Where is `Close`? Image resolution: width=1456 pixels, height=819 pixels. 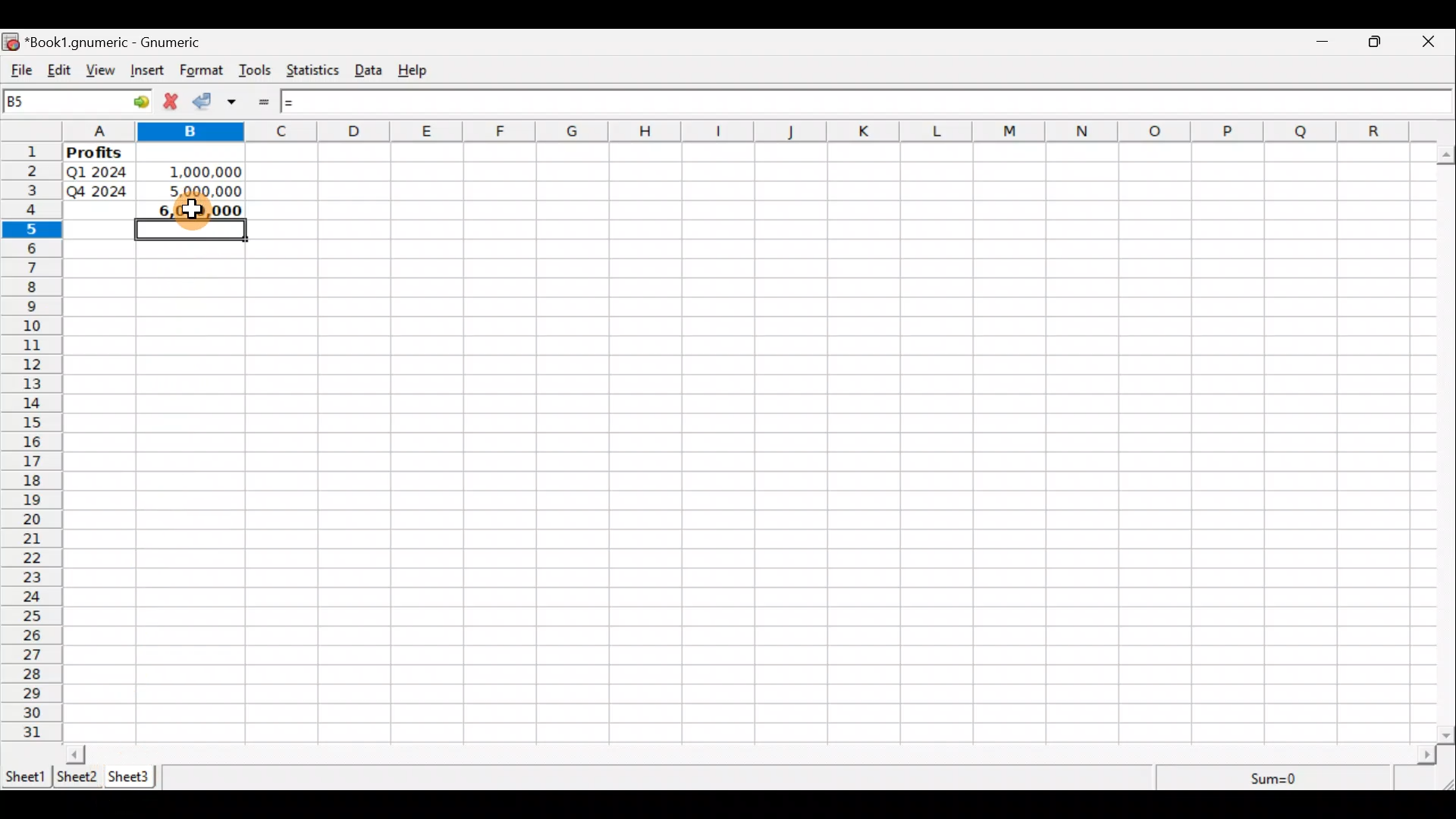
Close is located at coordinates (1435, 42).